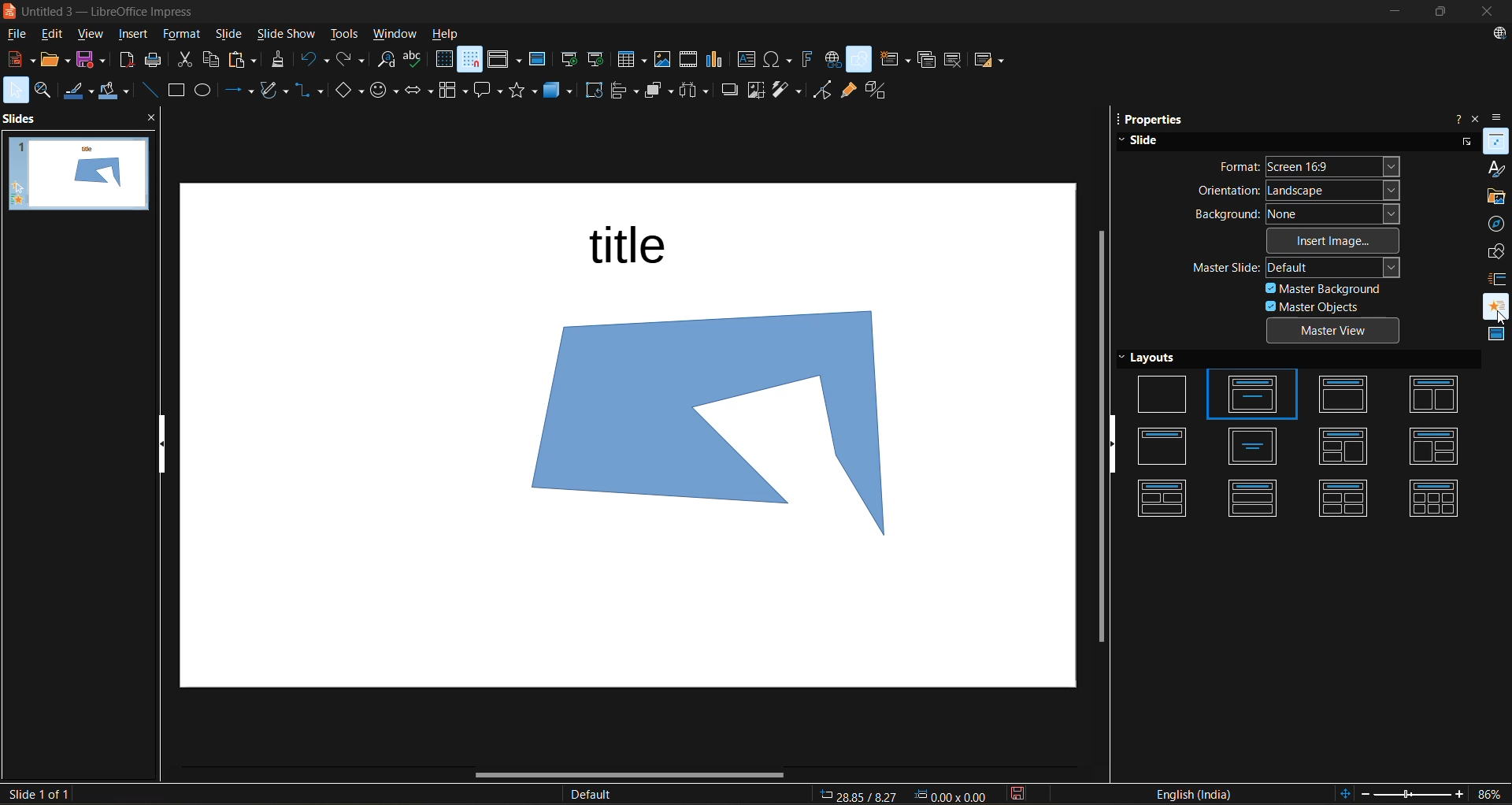  I want to click on master slide, so click(537, 58).